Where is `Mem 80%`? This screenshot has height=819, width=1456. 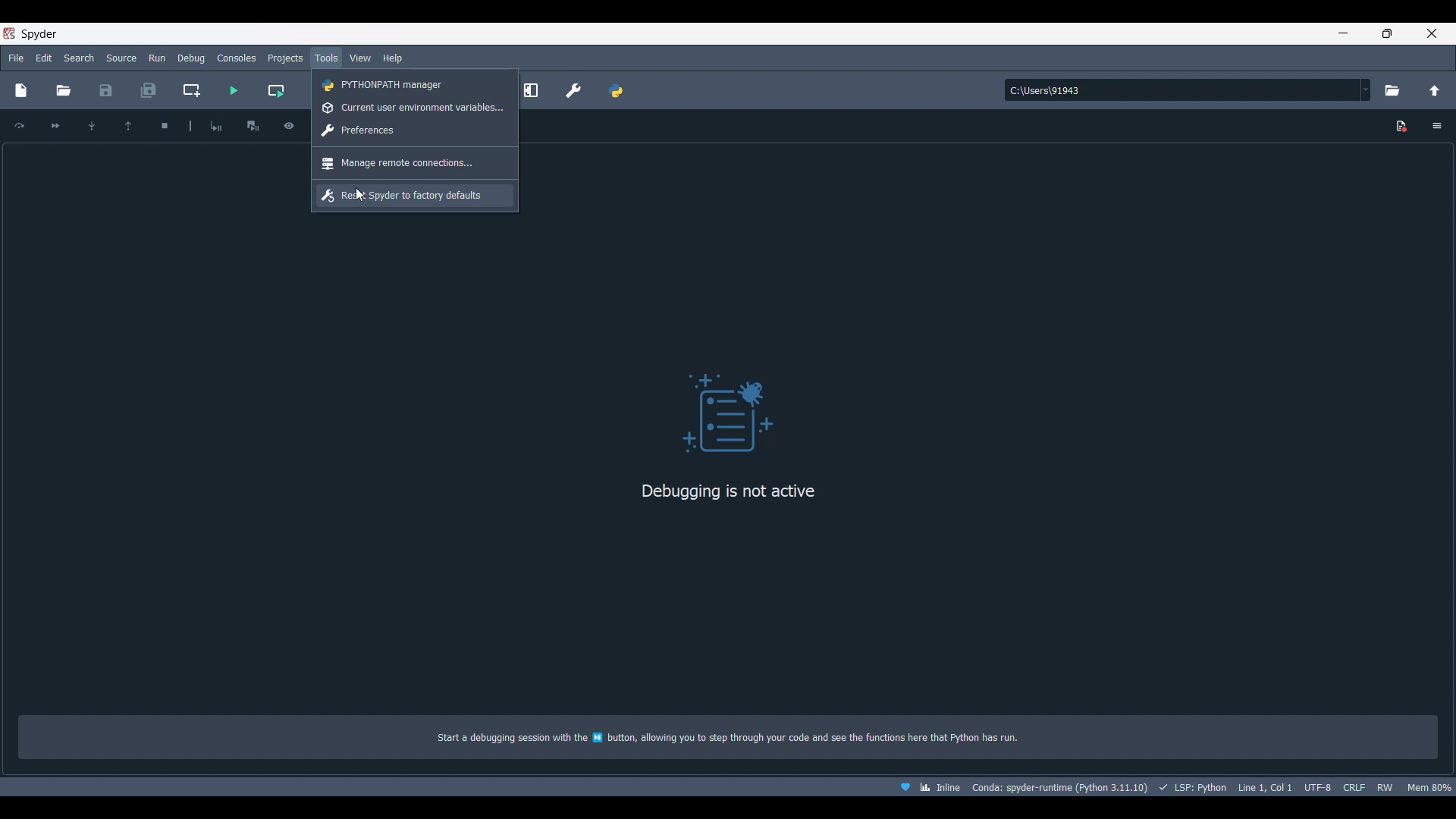
Mem 80% is located at coordinates (1428, 787).